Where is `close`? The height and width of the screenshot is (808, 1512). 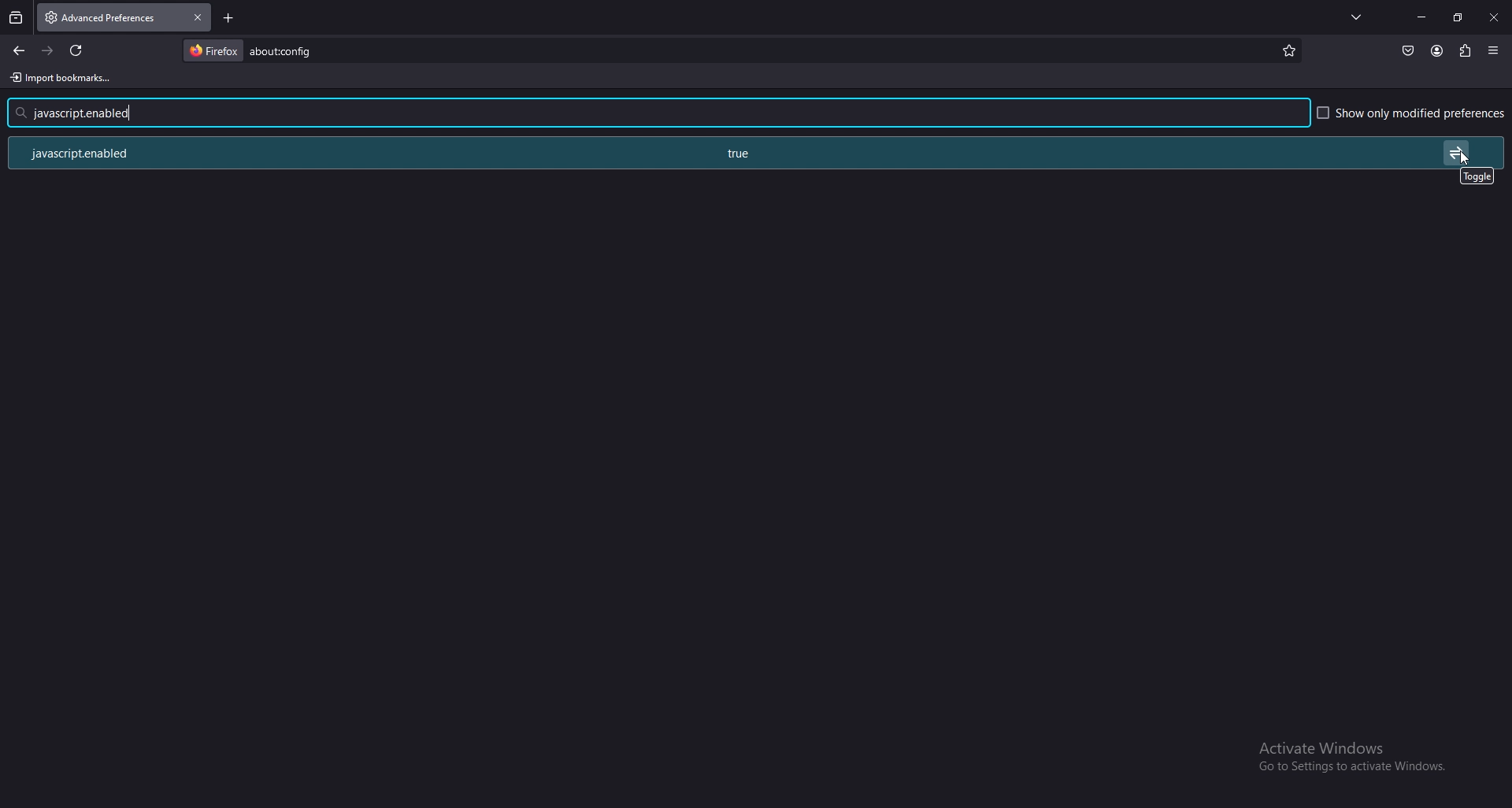 close is located at coordinates (1493, 19).